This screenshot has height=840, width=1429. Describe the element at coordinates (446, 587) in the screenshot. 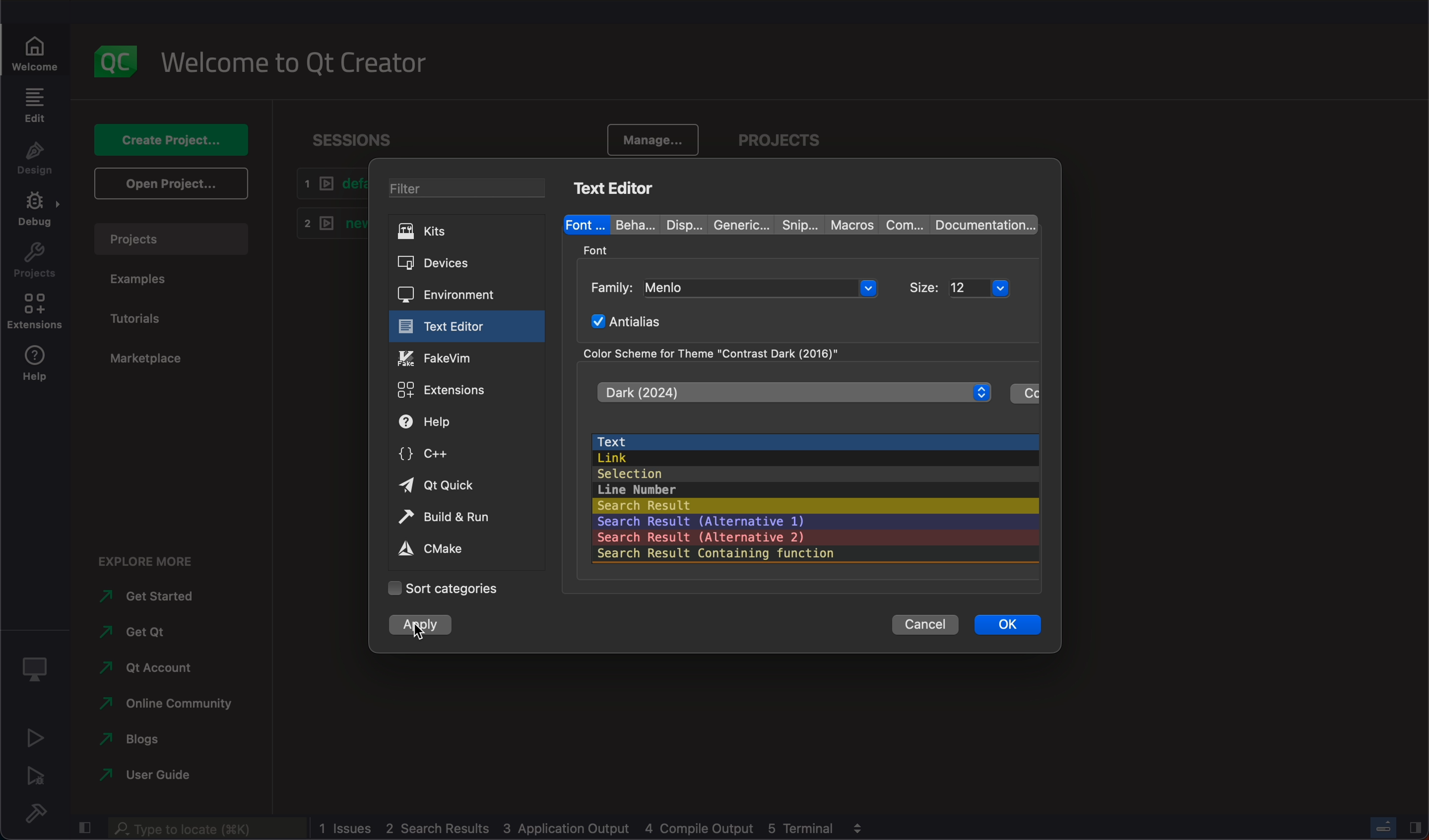

I see `categories` at that location.